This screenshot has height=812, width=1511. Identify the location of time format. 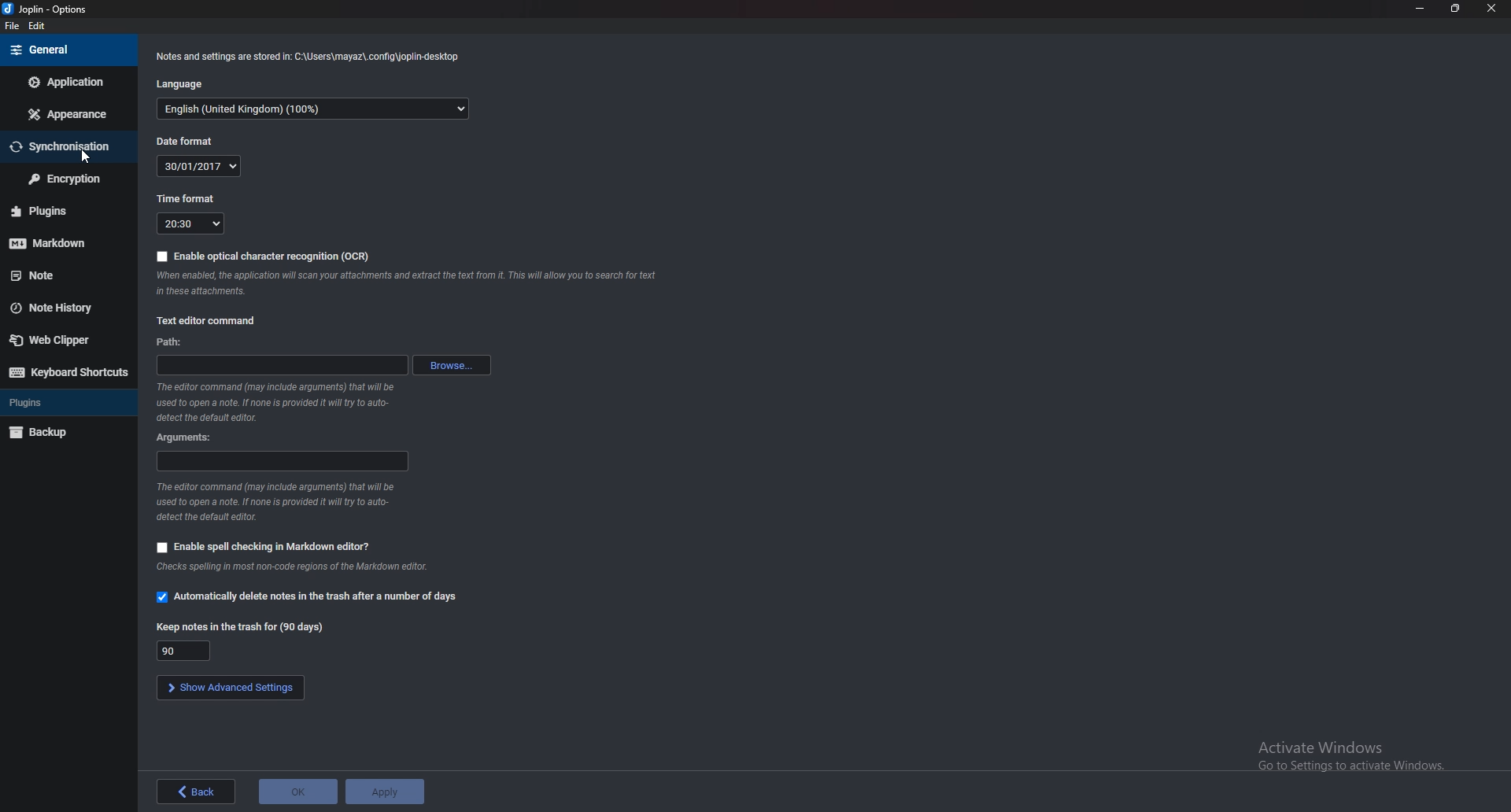
(189, 223).